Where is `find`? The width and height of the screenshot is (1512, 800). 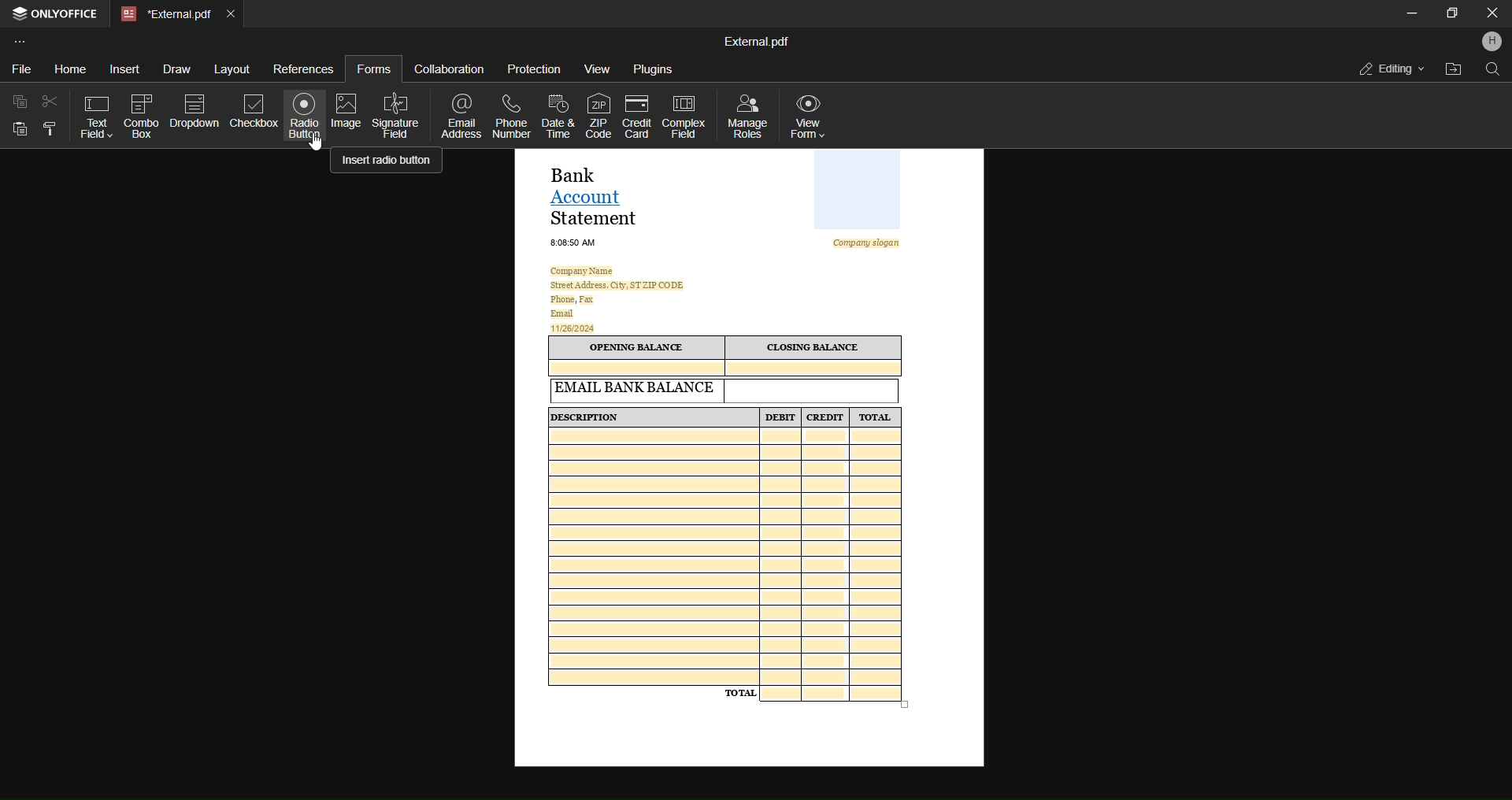 find is located at coordinates (1491, 72).